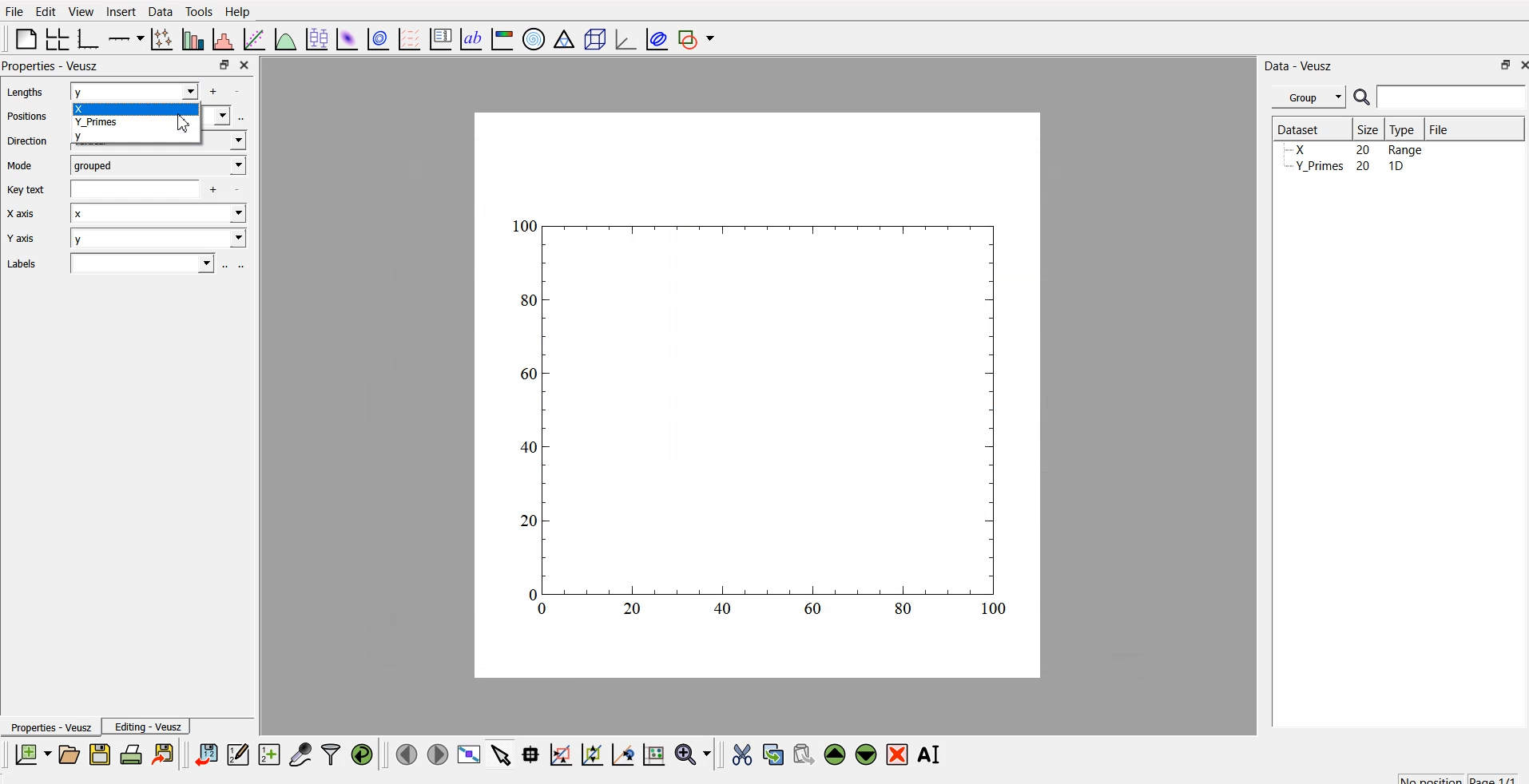  Describe the element at coordinates (315, 38) in the screenshot. I see `plot box plots` at that location.